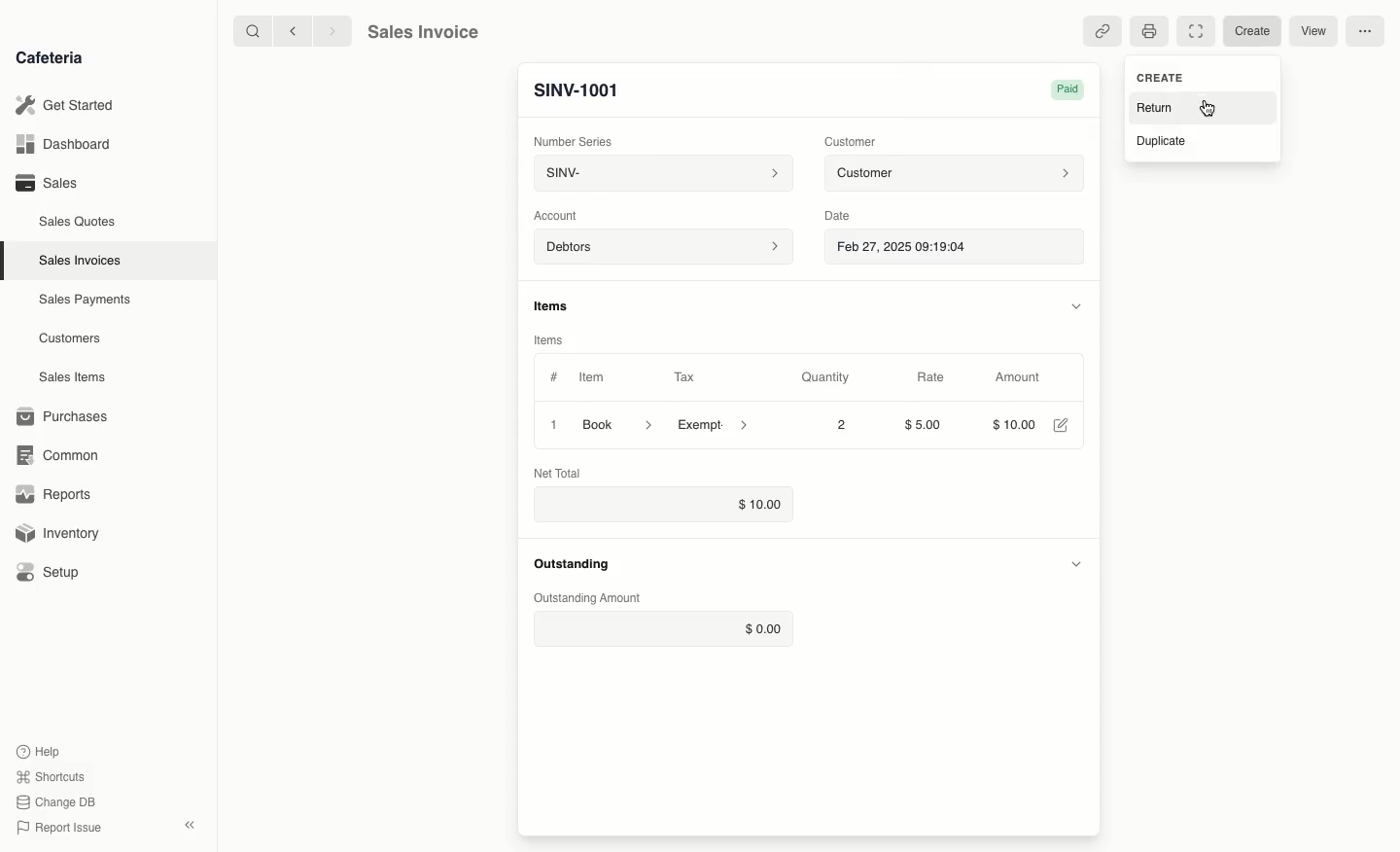 This screenshot has width=1400, height=852. Describe the element at coordinates (51, 572) in the screenshot. I see `Setup` at that location.